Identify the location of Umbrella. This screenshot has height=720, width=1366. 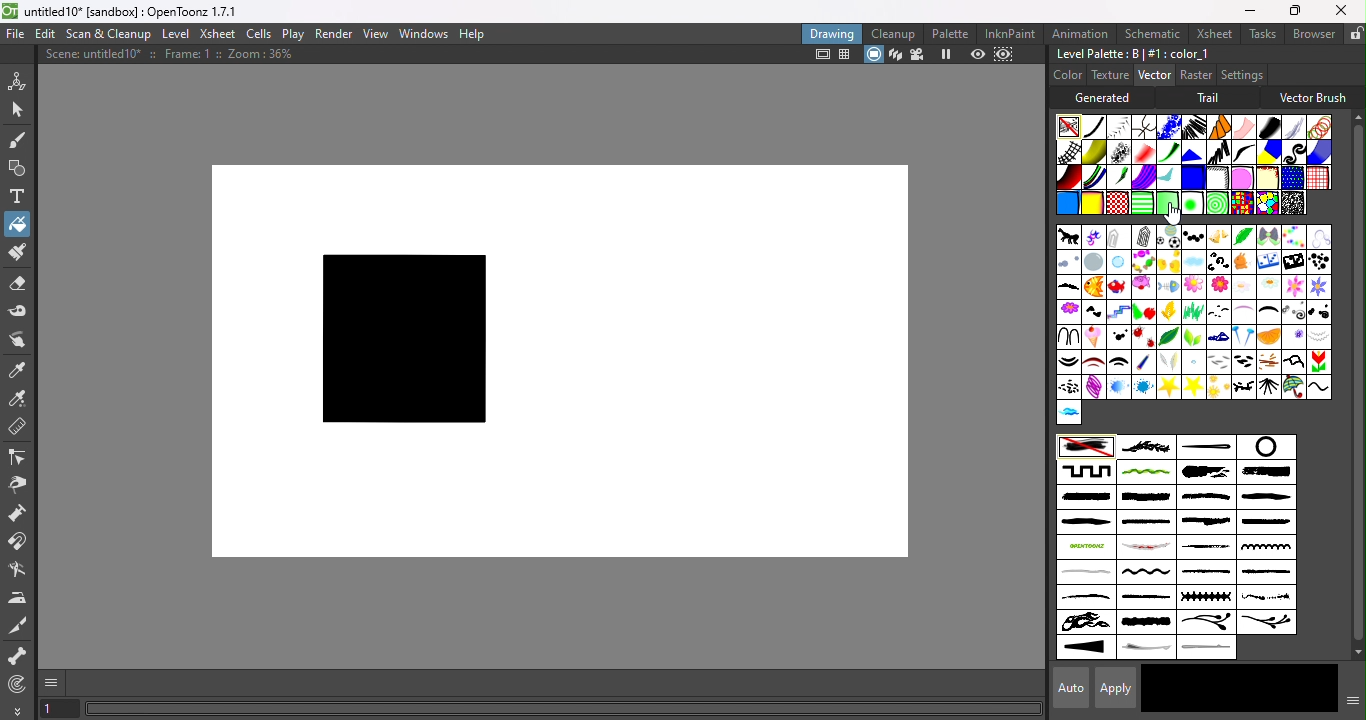
(1293, 387).